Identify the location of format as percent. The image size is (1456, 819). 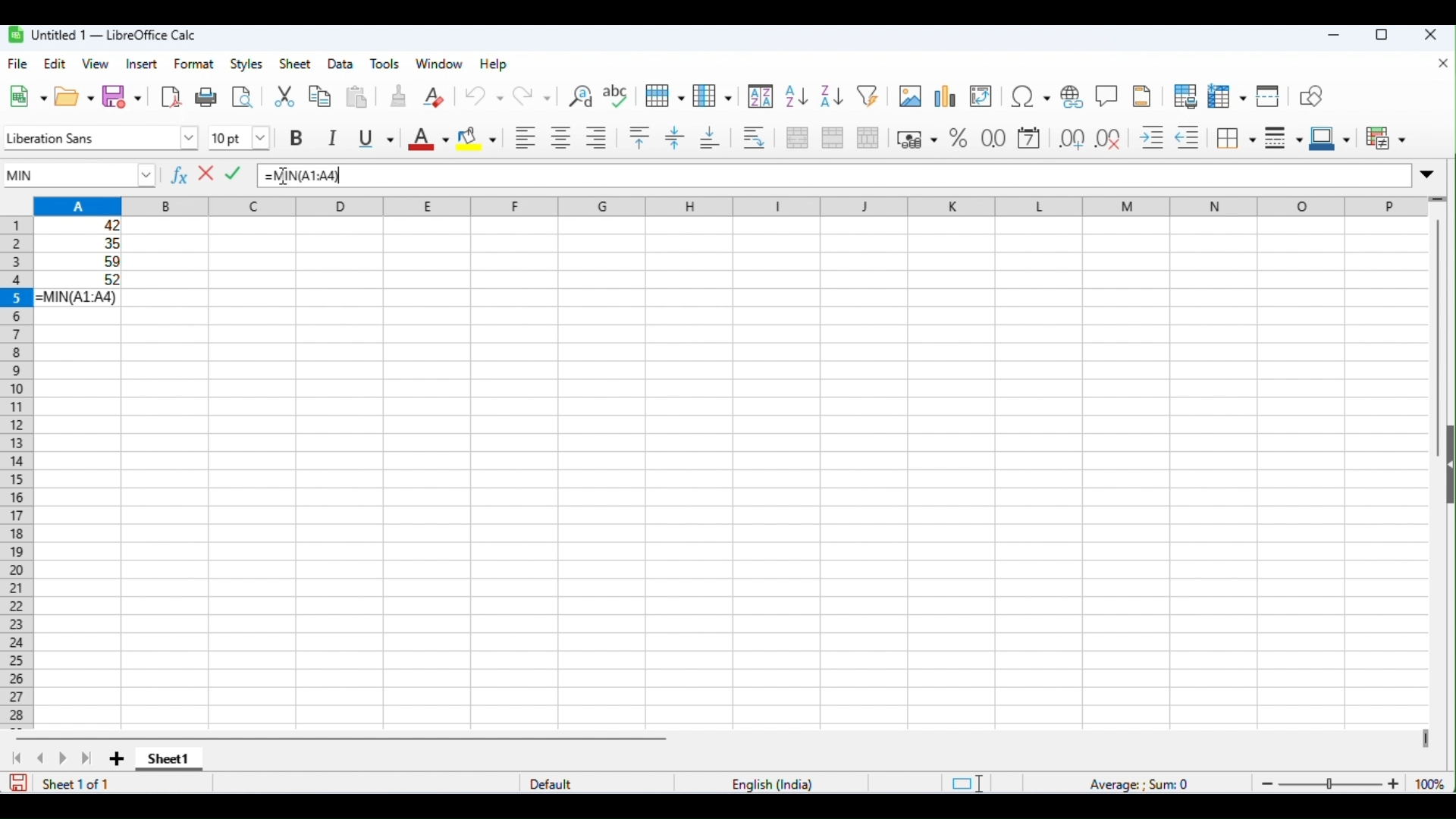
(957, 138).